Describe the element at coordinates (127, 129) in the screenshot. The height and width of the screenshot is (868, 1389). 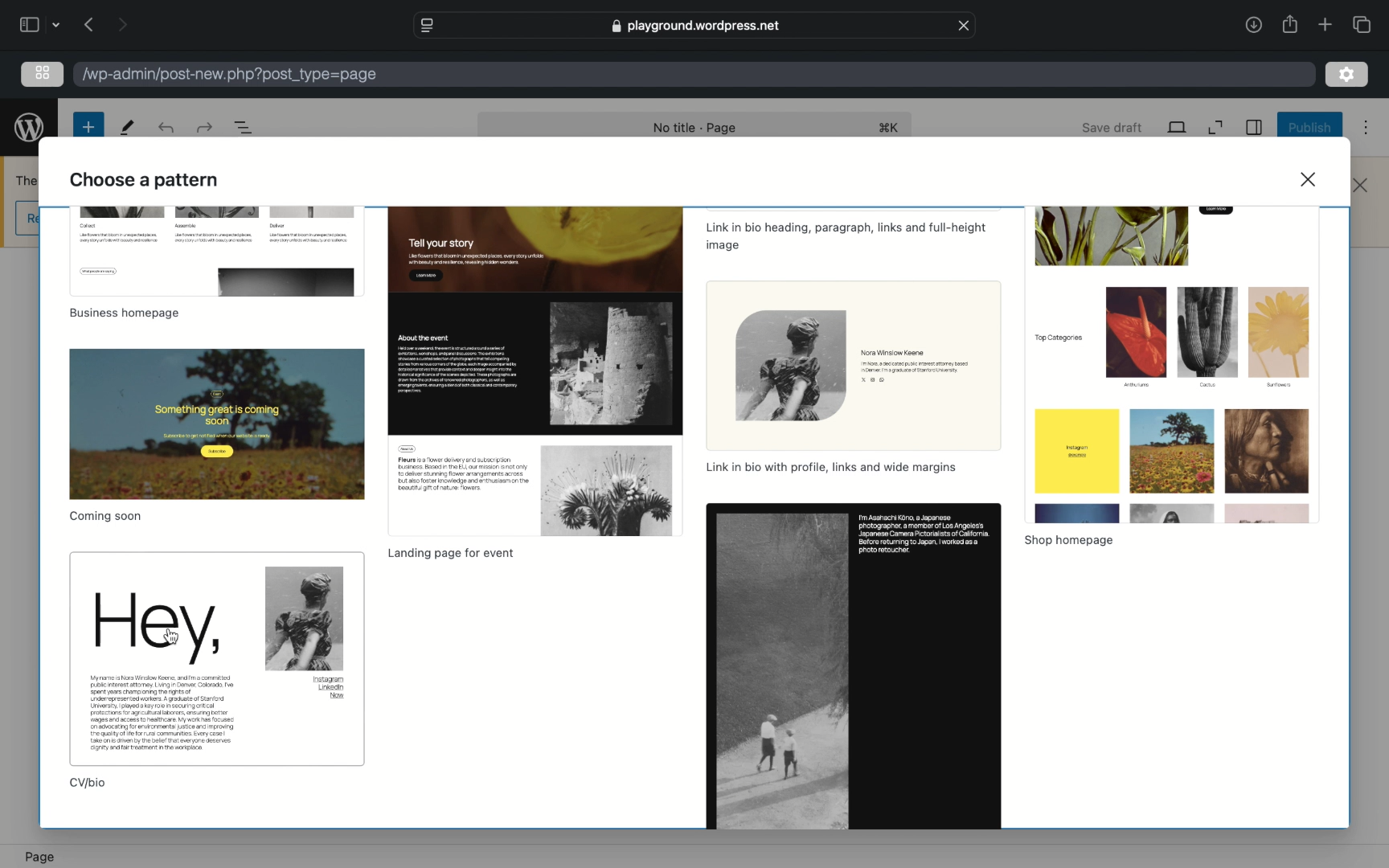
I see `tools` at that location.